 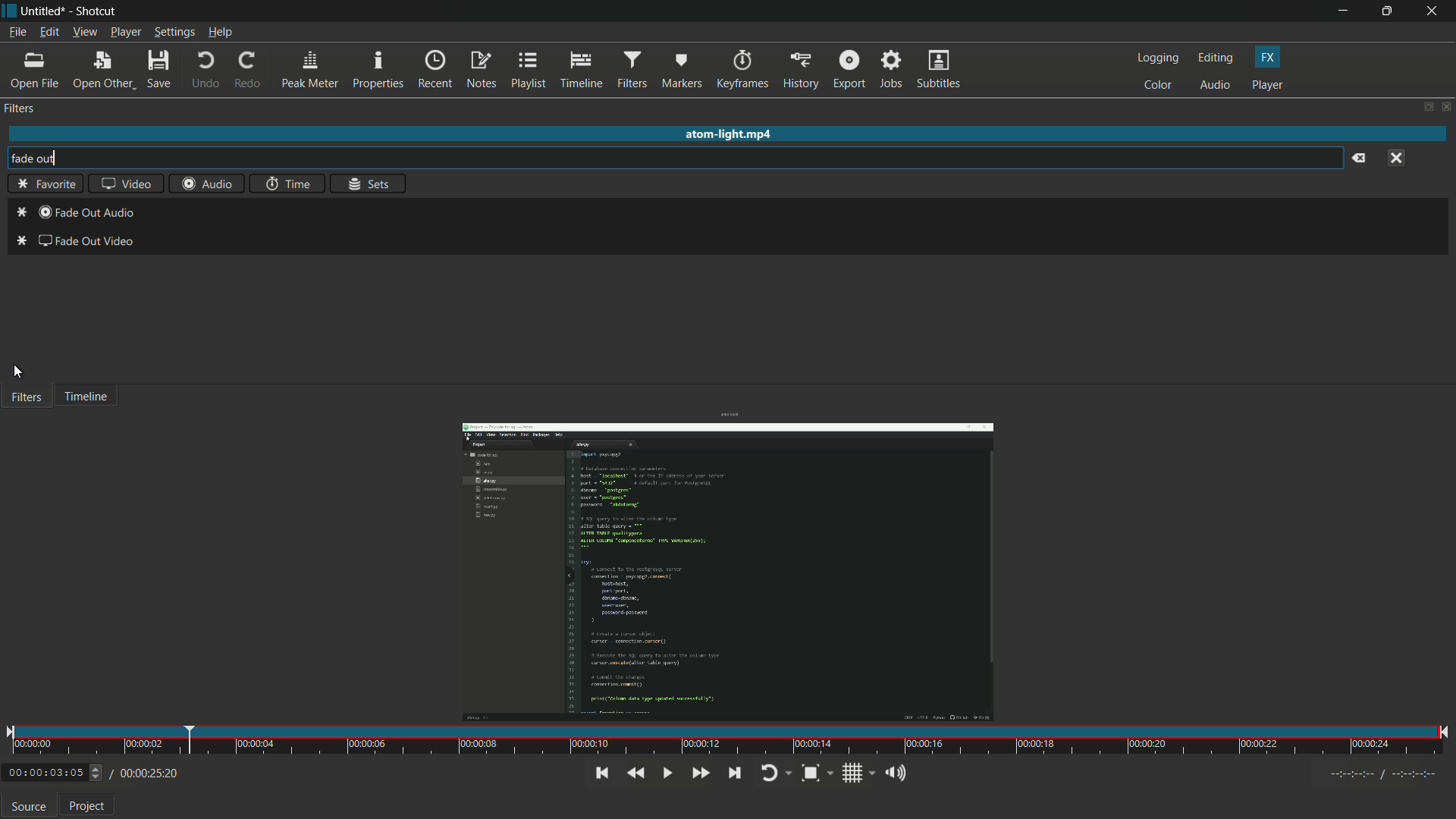 What do you see at coordinates (582, 70) in the screenshot?
I see `timeline` at bounding box center [582, 70].